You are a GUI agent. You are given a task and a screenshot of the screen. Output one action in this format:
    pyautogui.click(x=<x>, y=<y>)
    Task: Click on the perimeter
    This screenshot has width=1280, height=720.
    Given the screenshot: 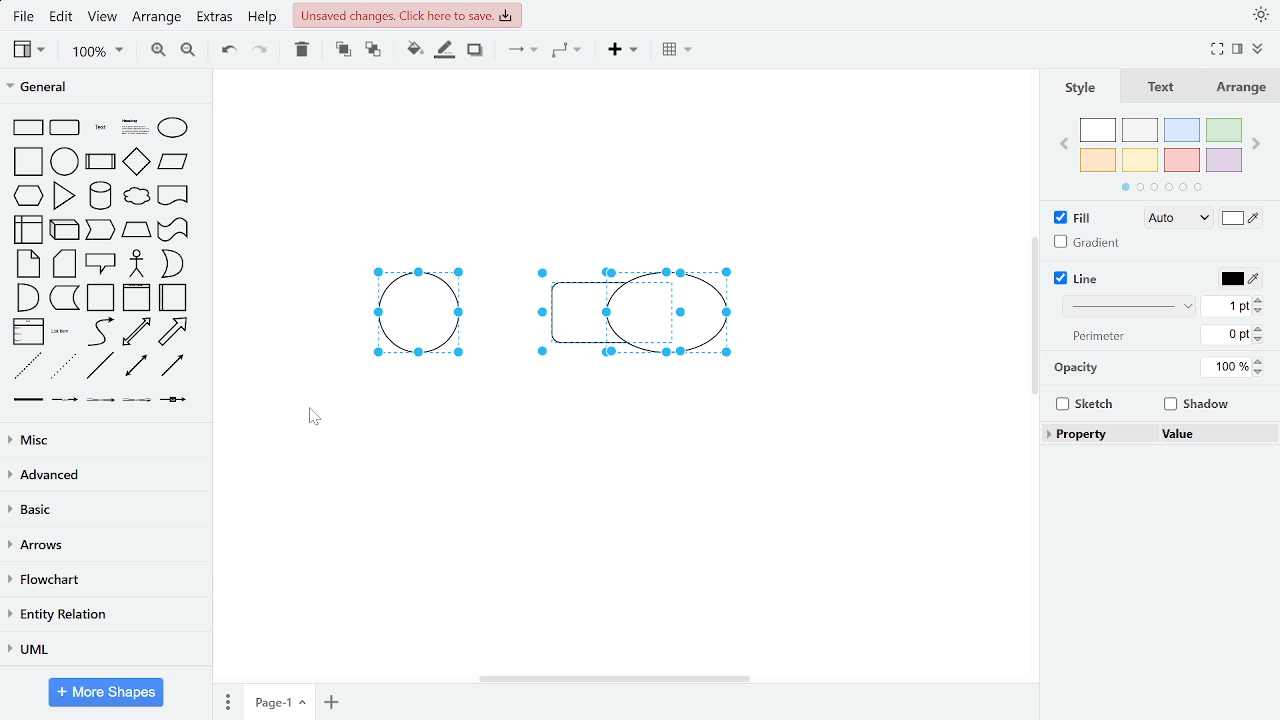 What is the action you would take?
    pyautogui.click(x=1100, y=337)
    